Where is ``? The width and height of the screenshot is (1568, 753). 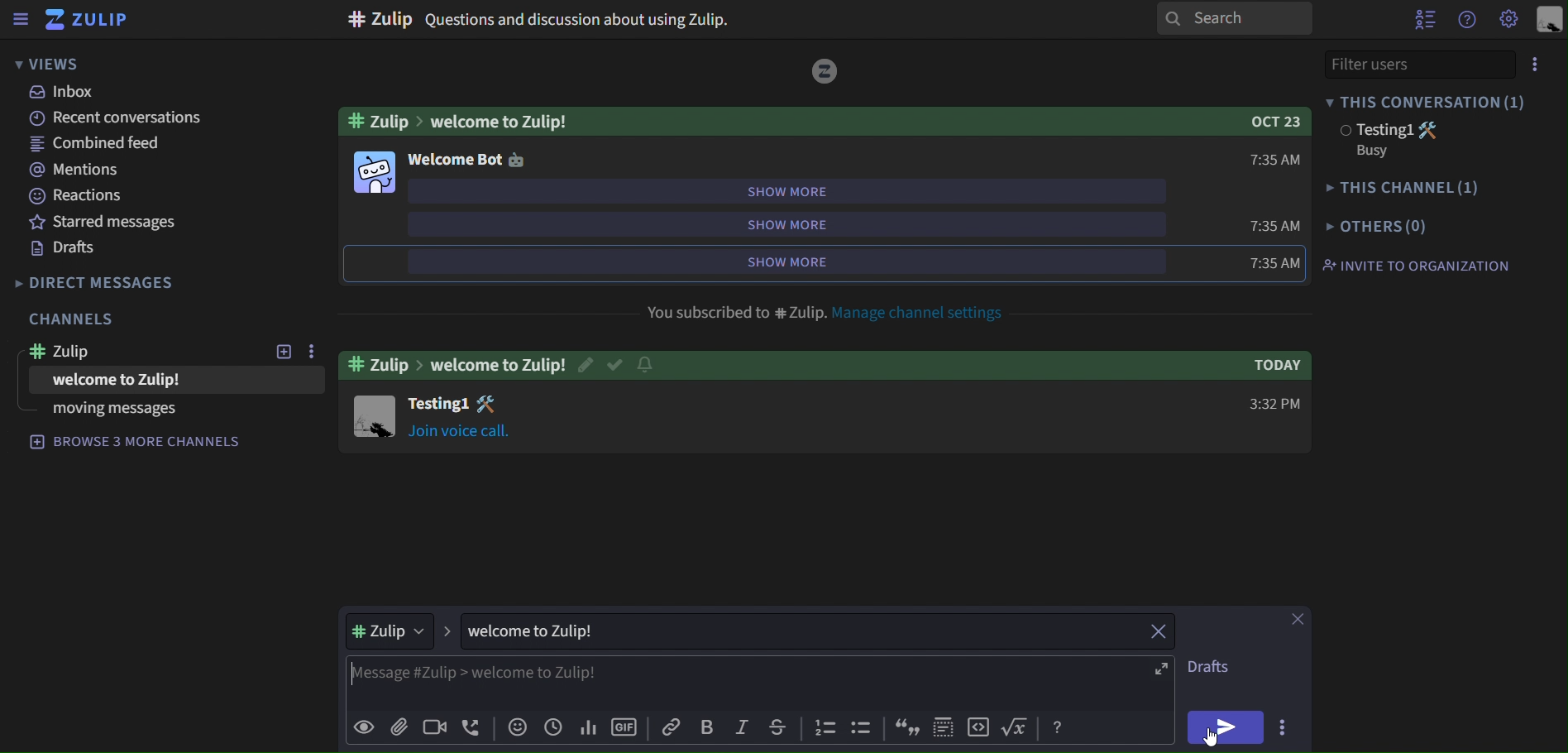  is located at coordinates (1016, 727).